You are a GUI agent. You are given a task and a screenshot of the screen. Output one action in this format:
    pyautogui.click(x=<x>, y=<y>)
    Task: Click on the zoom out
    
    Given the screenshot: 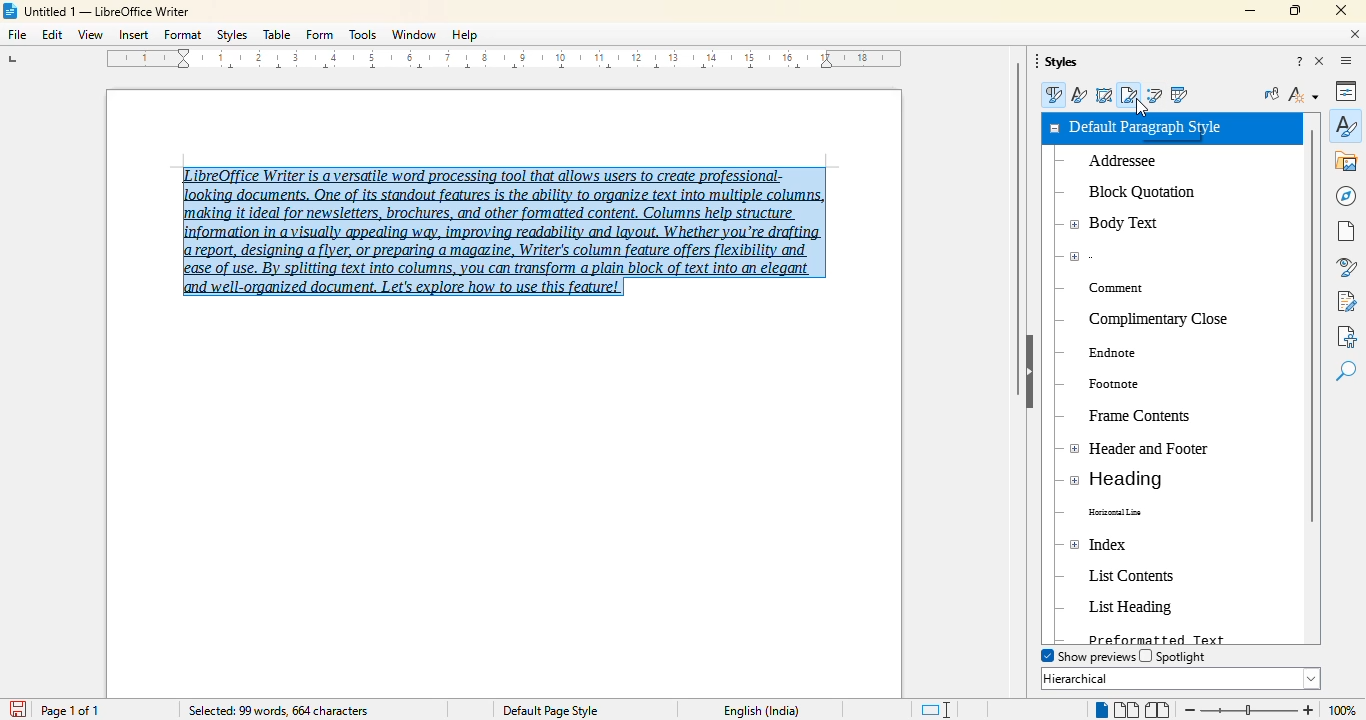 What is the action you would take?
    pyautogui.click(x=1188, y=709)
    